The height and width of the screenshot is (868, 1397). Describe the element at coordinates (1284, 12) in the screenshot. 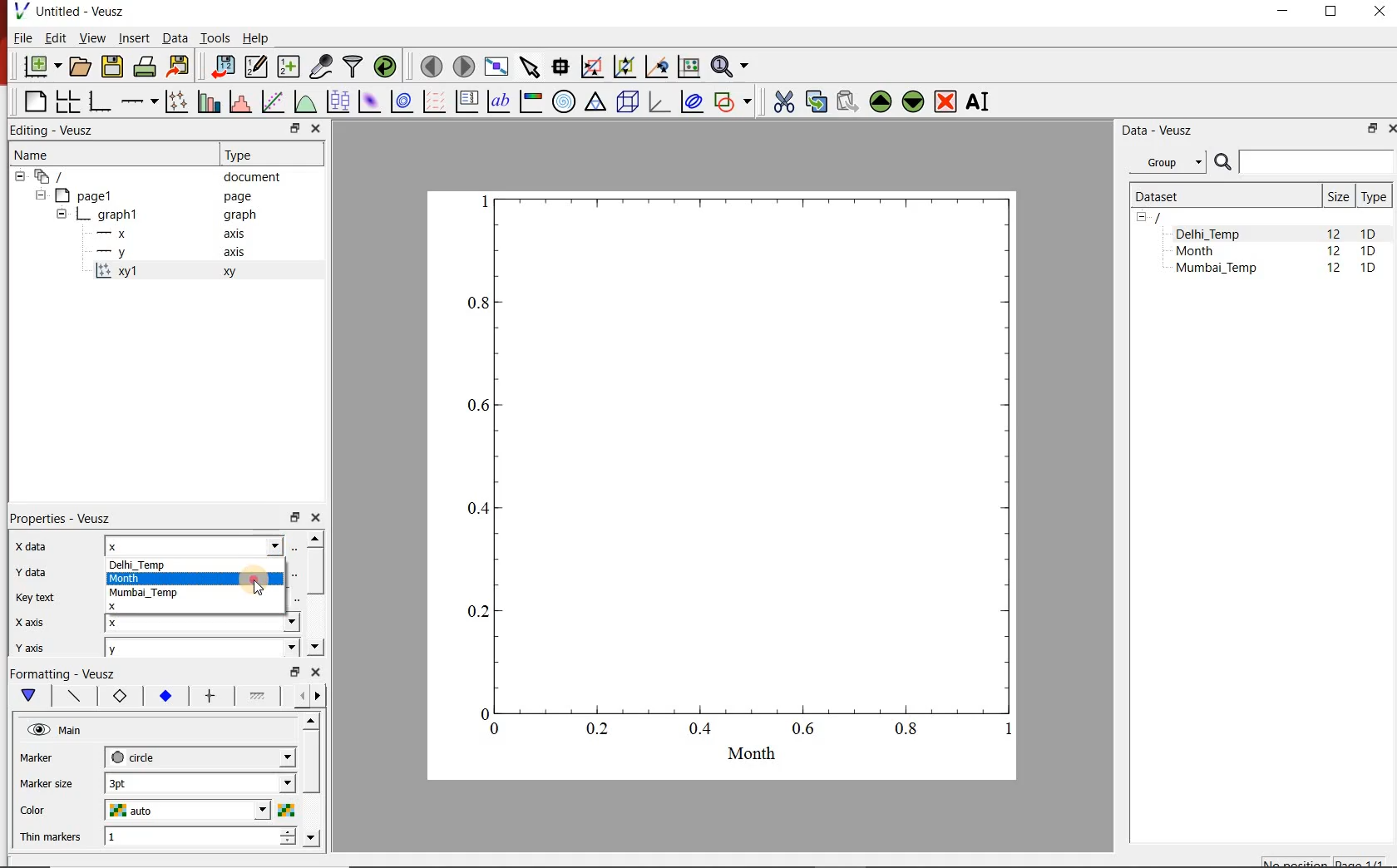

I see `MINIMIZE` at that location.